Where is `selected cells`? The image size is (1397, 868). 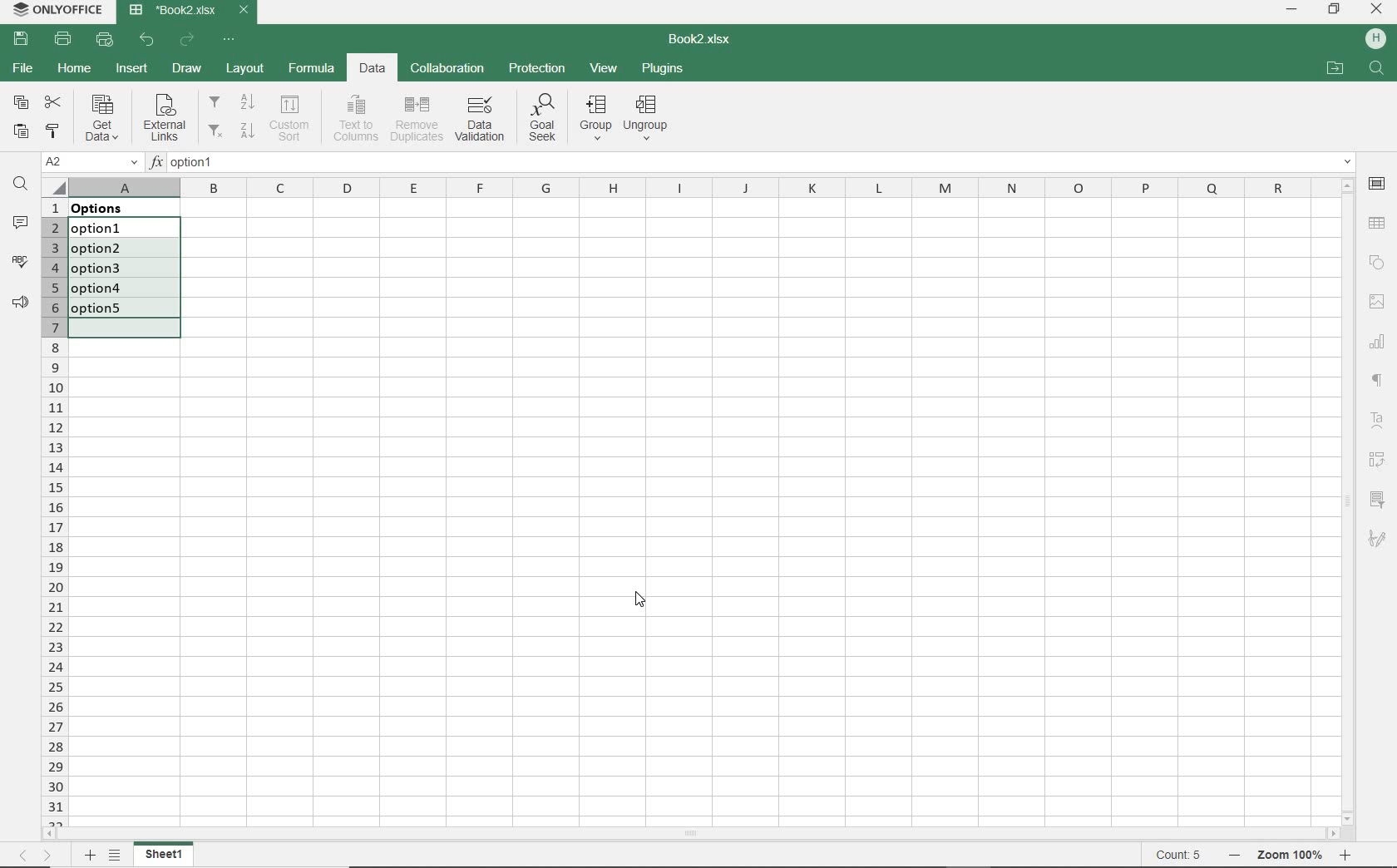 selected cells is located at coordinates (124, 277).